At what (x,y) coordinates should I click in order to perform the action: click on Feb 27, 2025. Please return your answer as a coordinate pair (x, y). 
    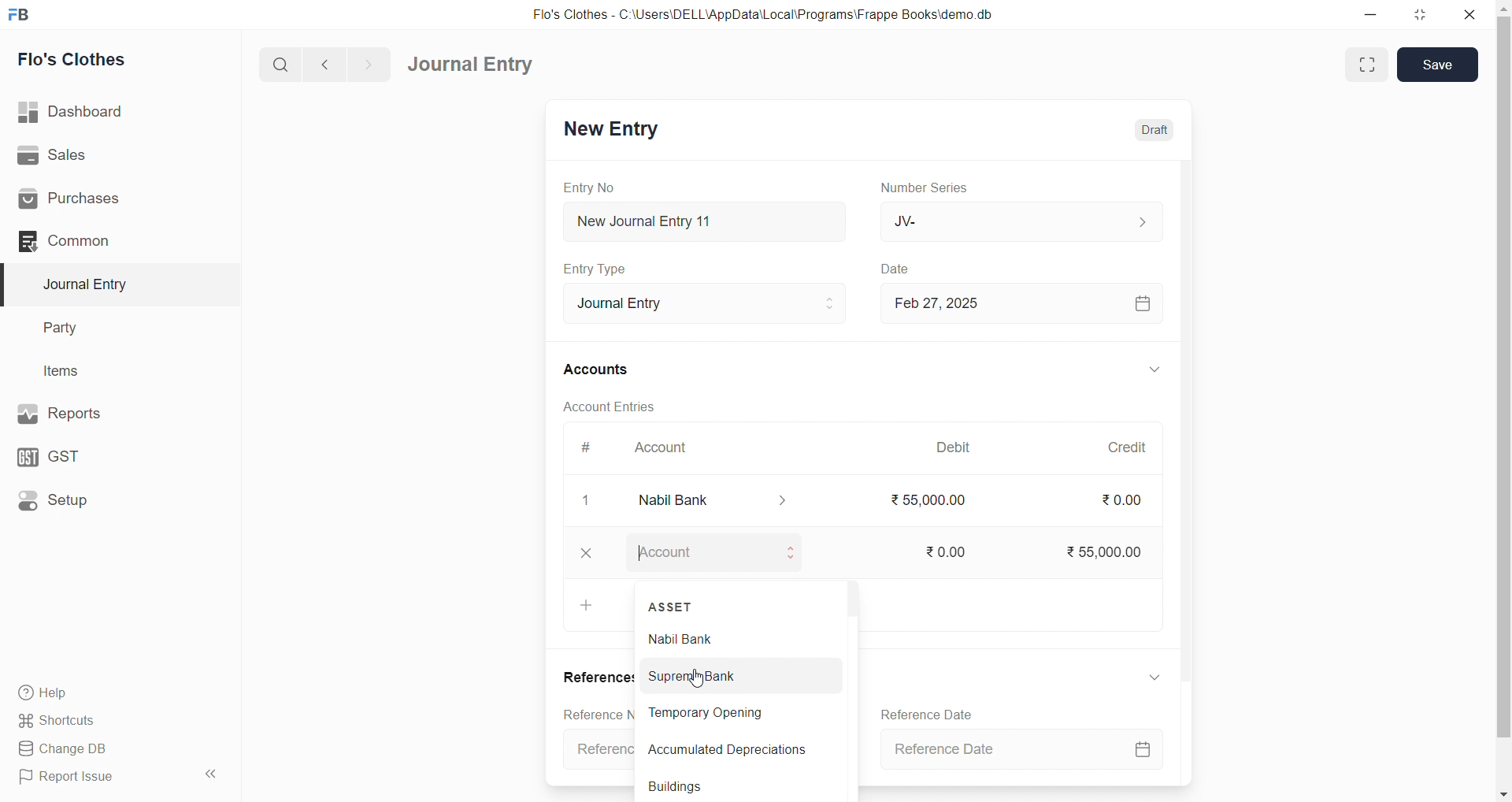
    Looking at the image, I should click on (1028, 303).